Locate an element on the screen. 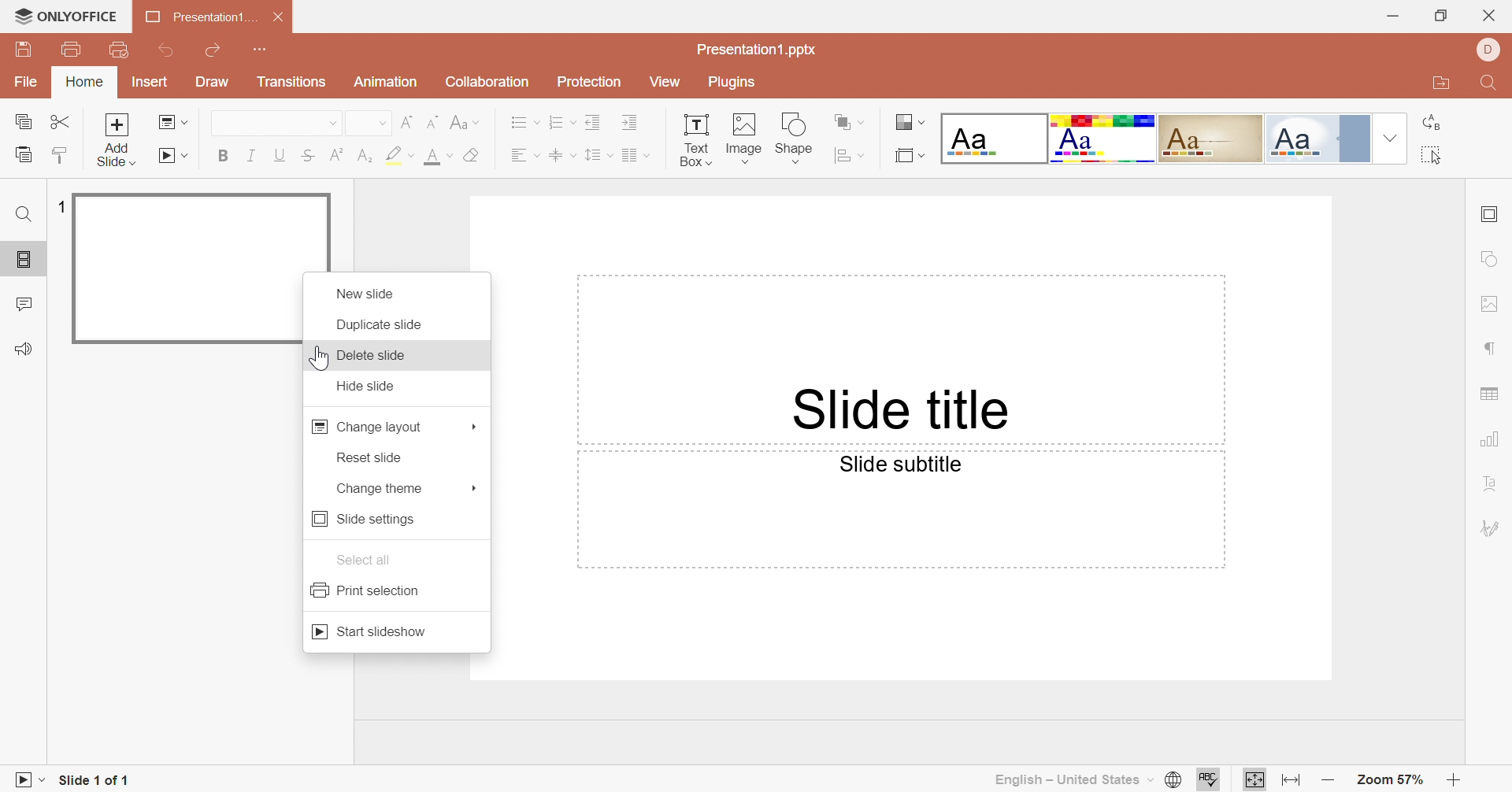  Replace is located at coordinates (1429, 124).